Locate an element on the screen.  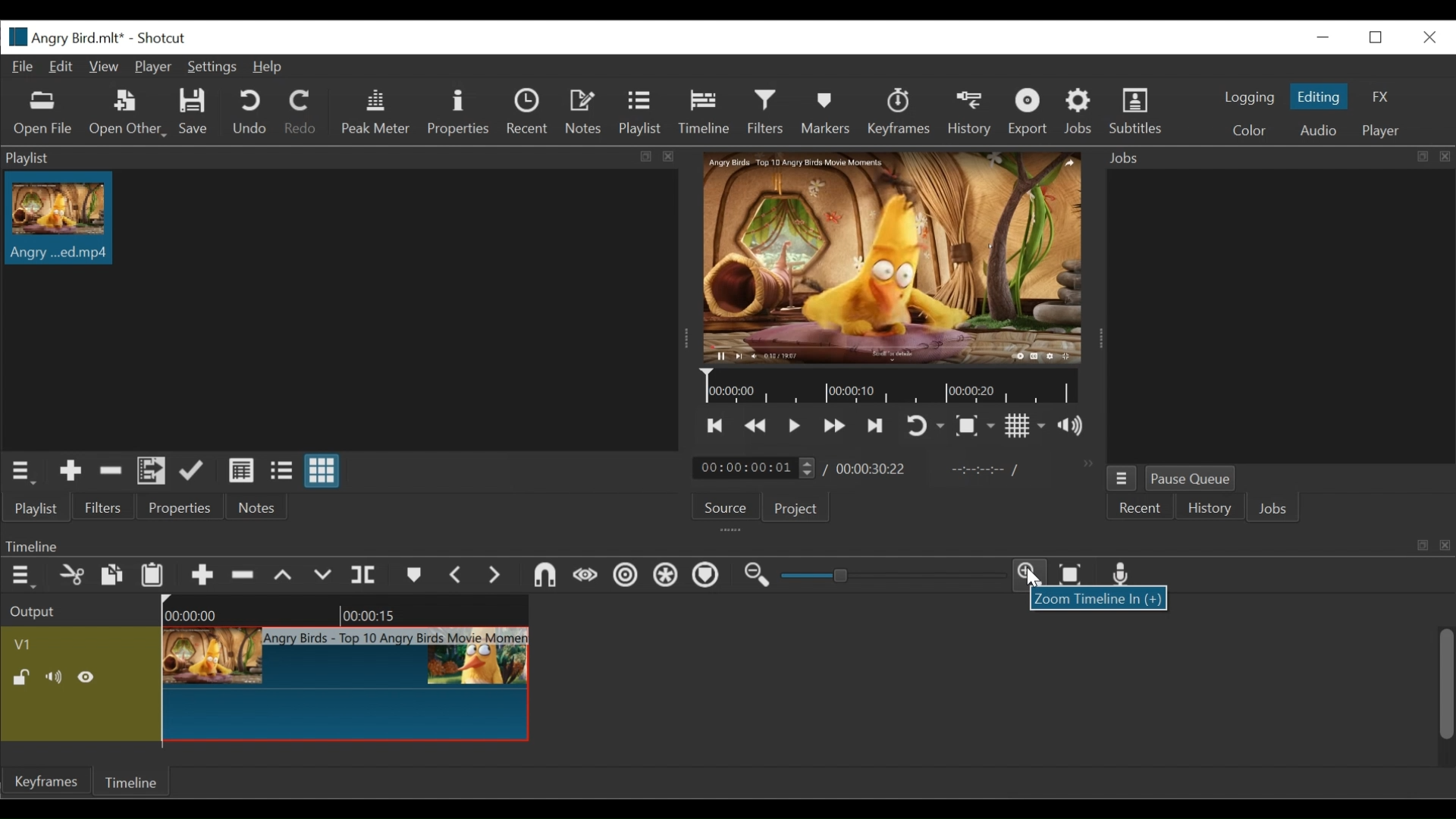
Export is located at coordinates (1029, 114).